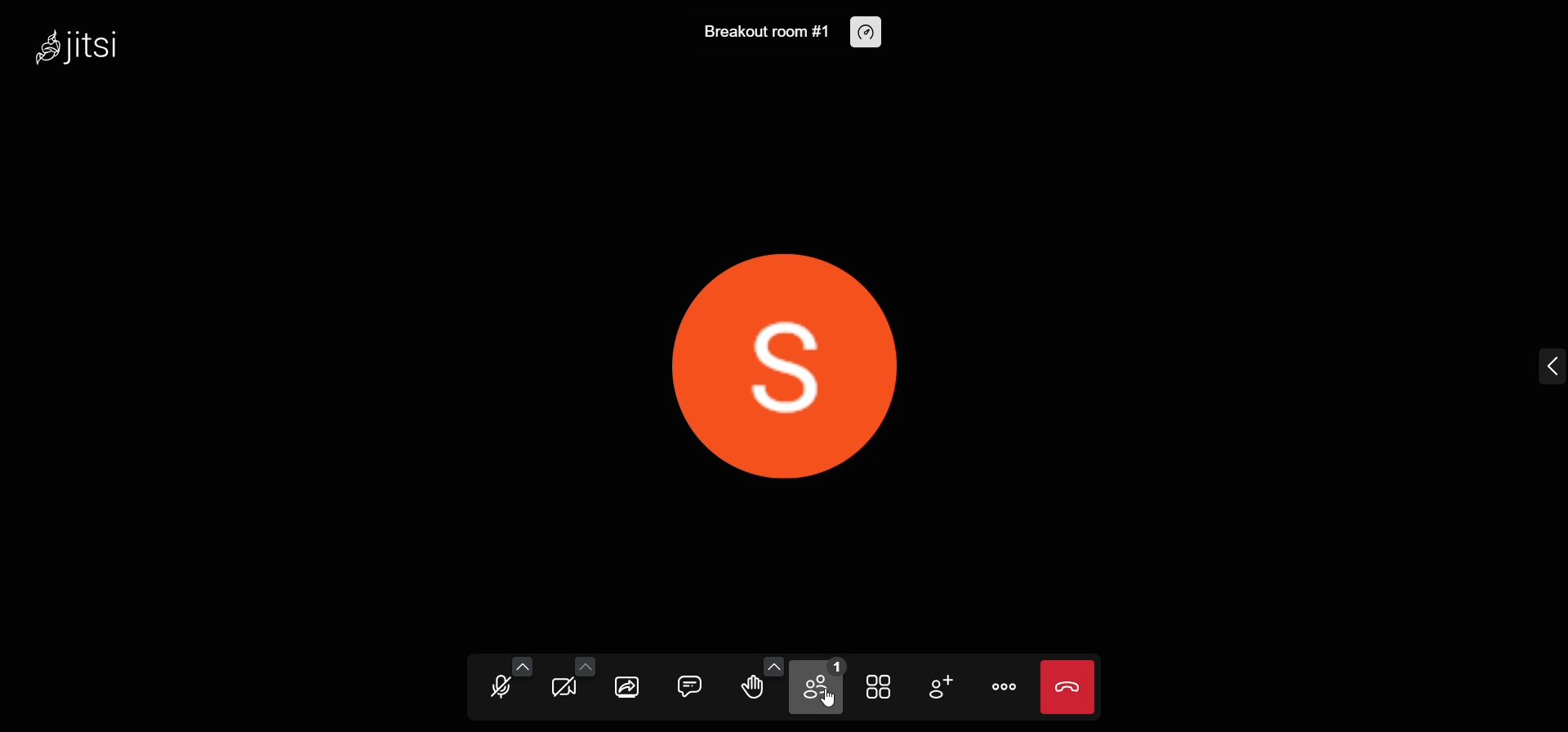 Image resolution: width=1568 pixels, height=732 pixels. I want to click on invite people, so click(941, 686).